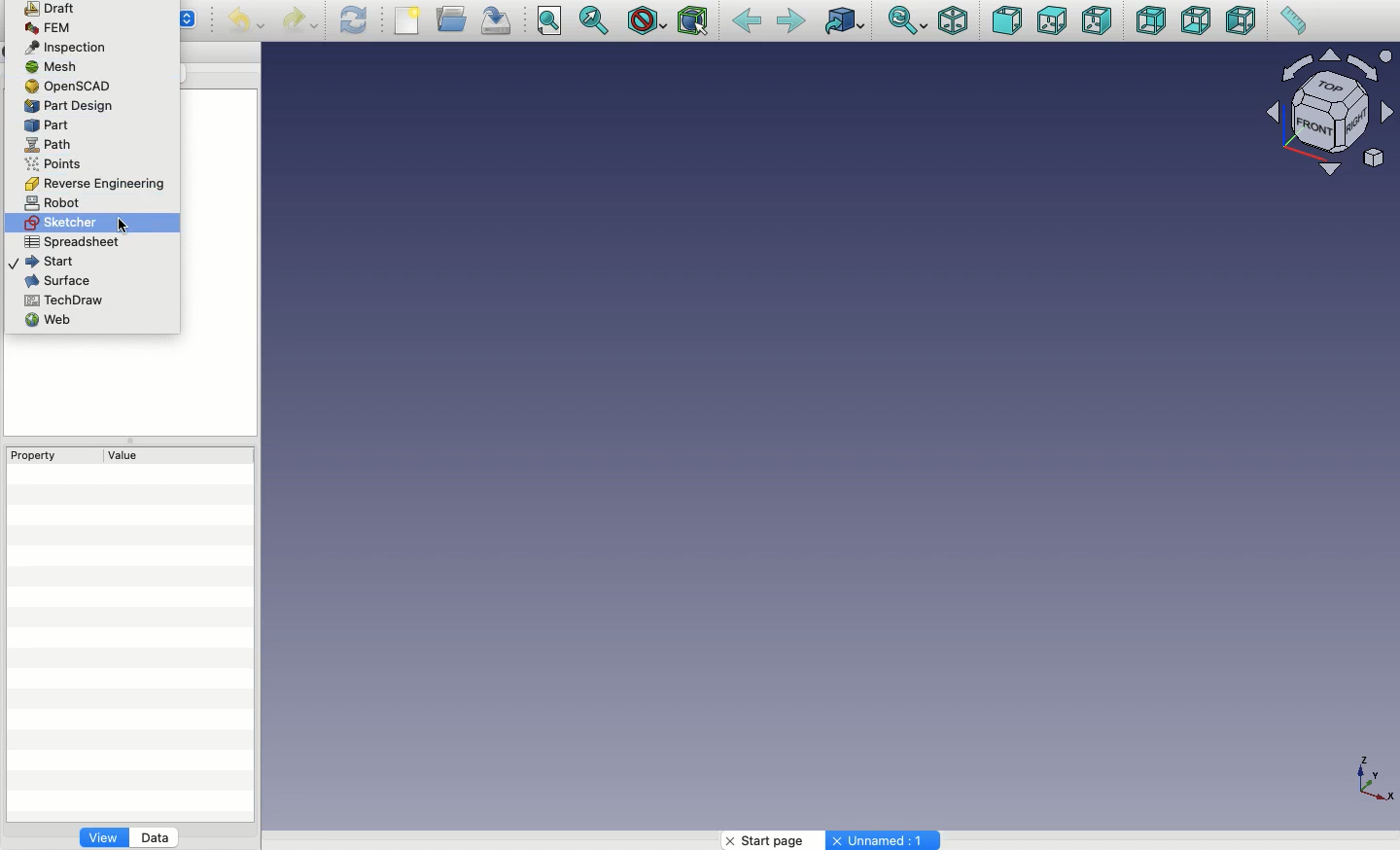  Describe the element at coordinates (1334, 113) in the screenshot. I see `Navigator` at that location.